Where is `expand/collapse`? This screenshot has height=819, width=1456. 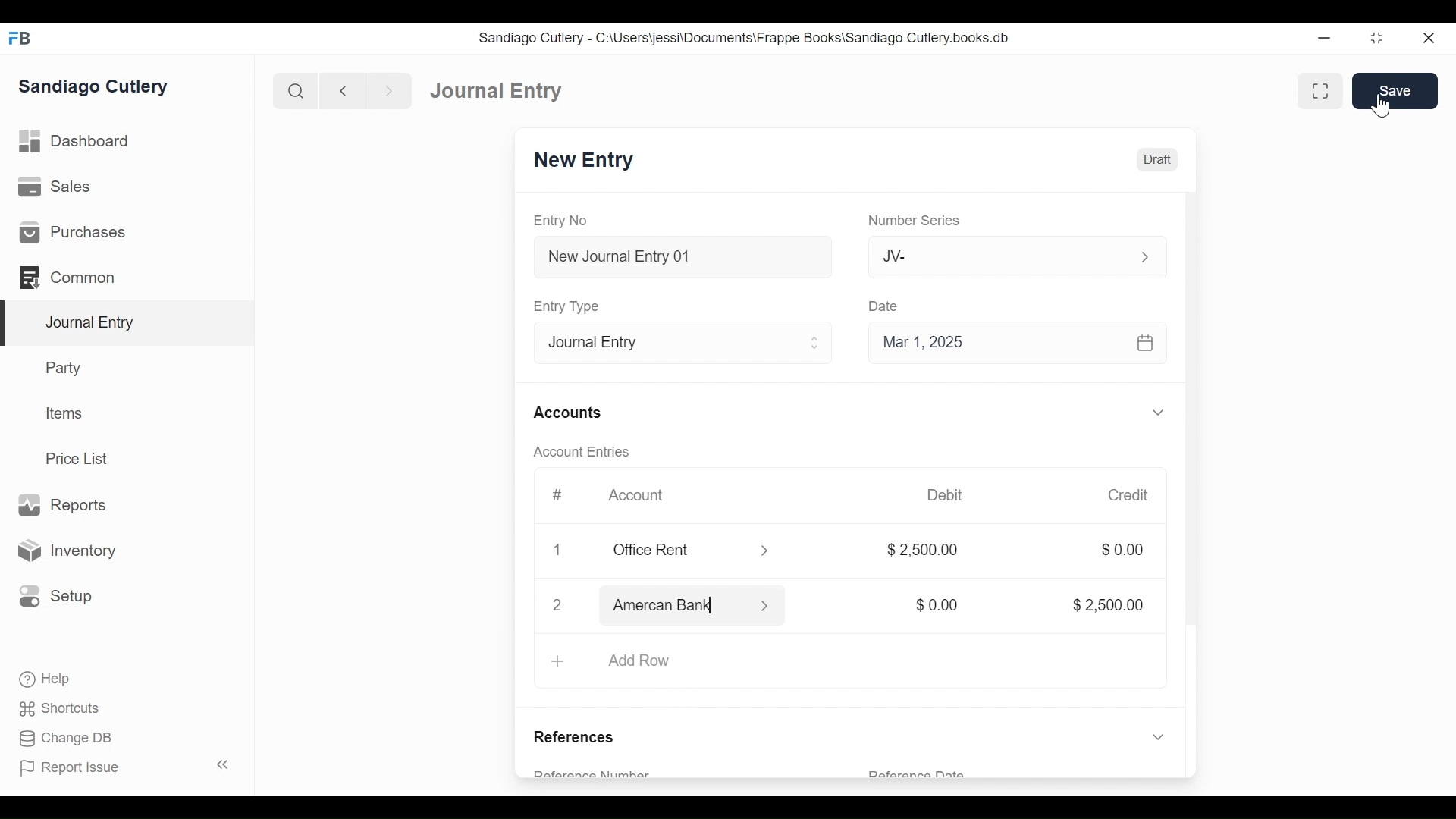
expand/collapse is located at coordinates (1157, 412).